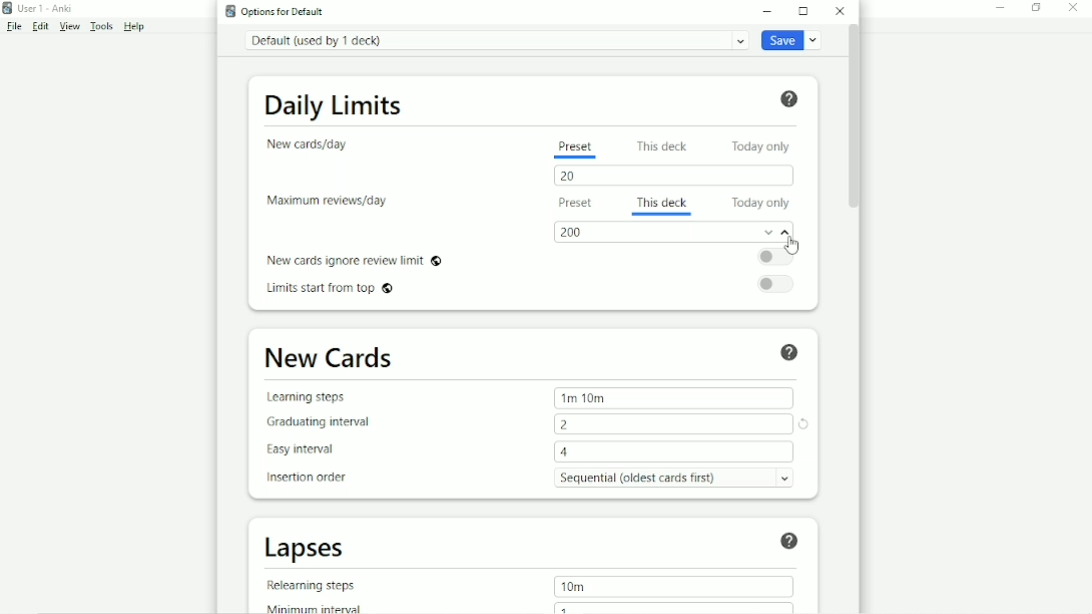  I want to click on Vertical scrollbar, so click(852, 118).